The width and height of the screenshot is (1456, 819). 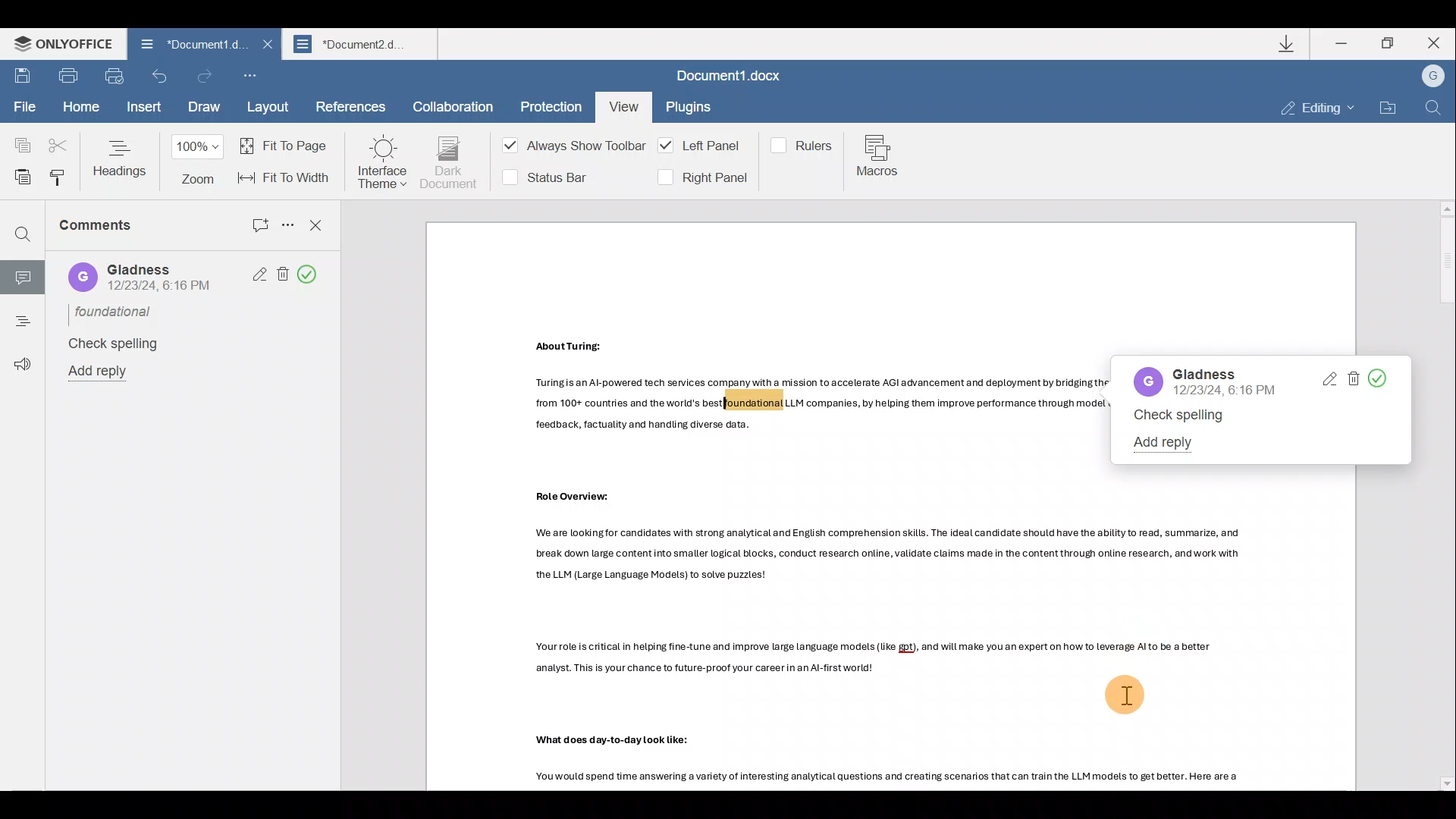 I want to click on Status bar, so click(x=551, y=176).